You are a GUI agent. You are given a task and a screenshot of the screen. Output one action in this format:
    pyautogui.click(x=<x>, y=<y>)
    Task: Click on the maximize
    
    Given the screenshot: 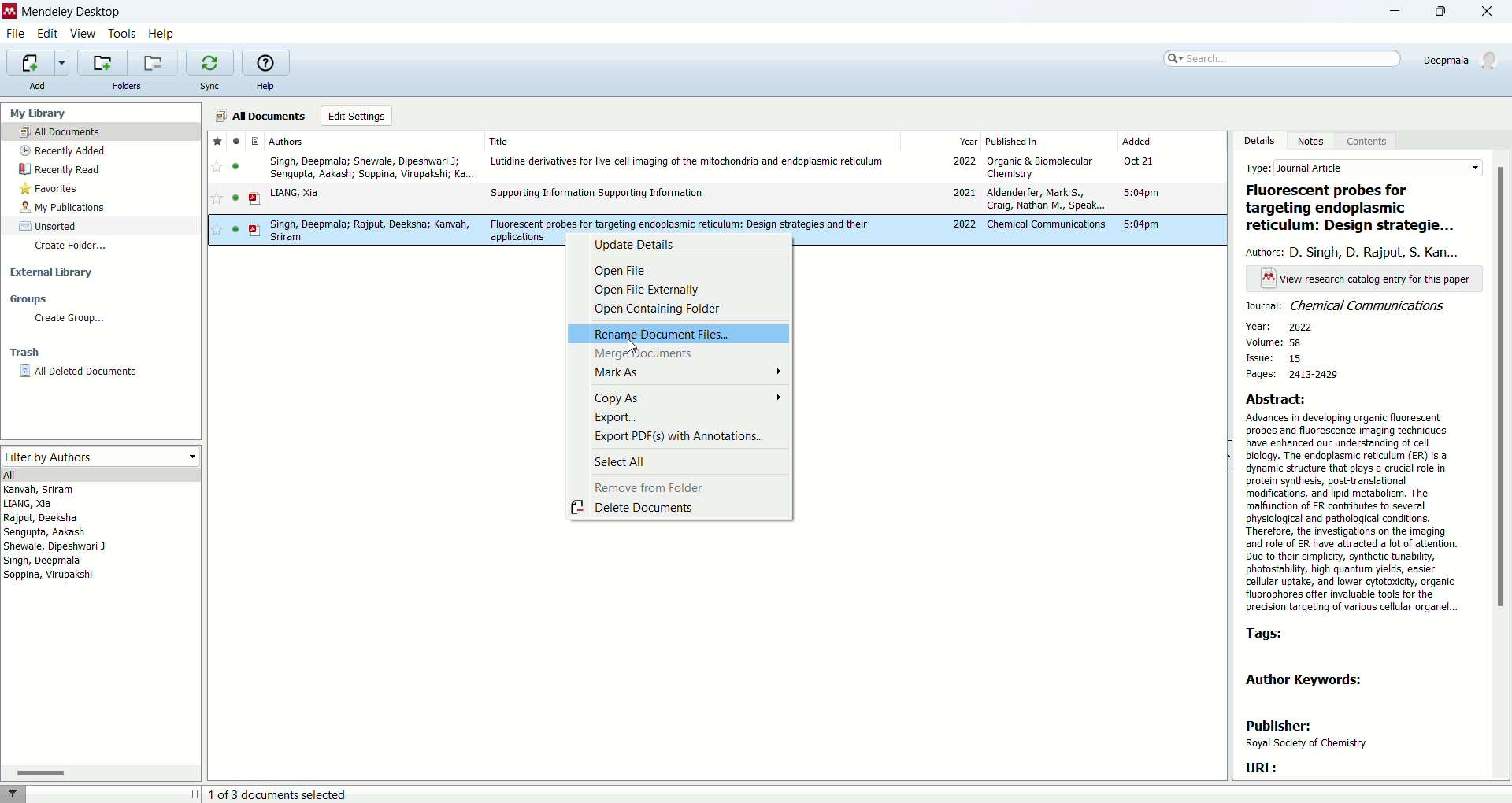 What is the action you would take?
    pyautogui.click(x=1442, y=12)
    